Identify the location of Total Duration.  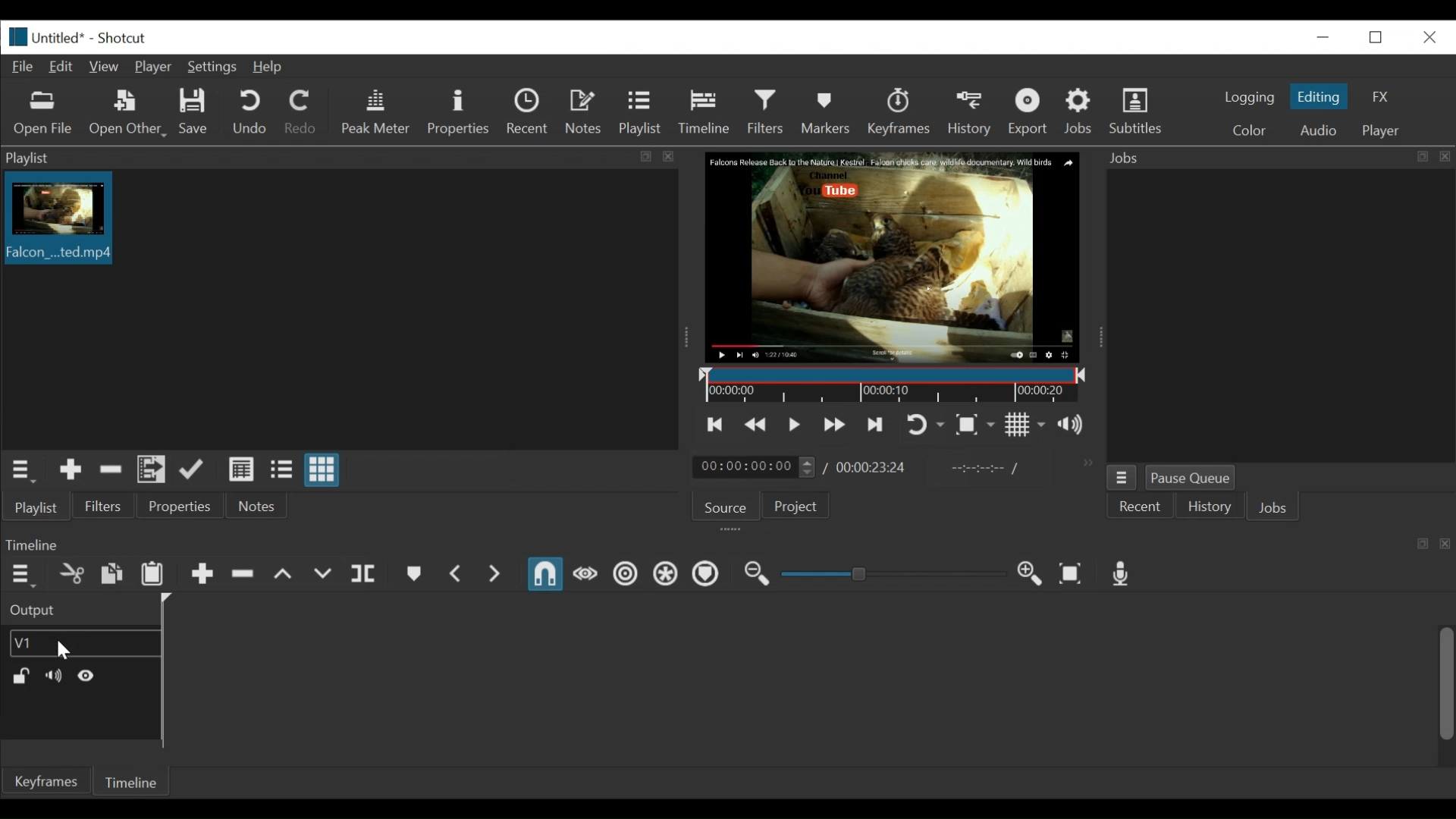
(873, 468).